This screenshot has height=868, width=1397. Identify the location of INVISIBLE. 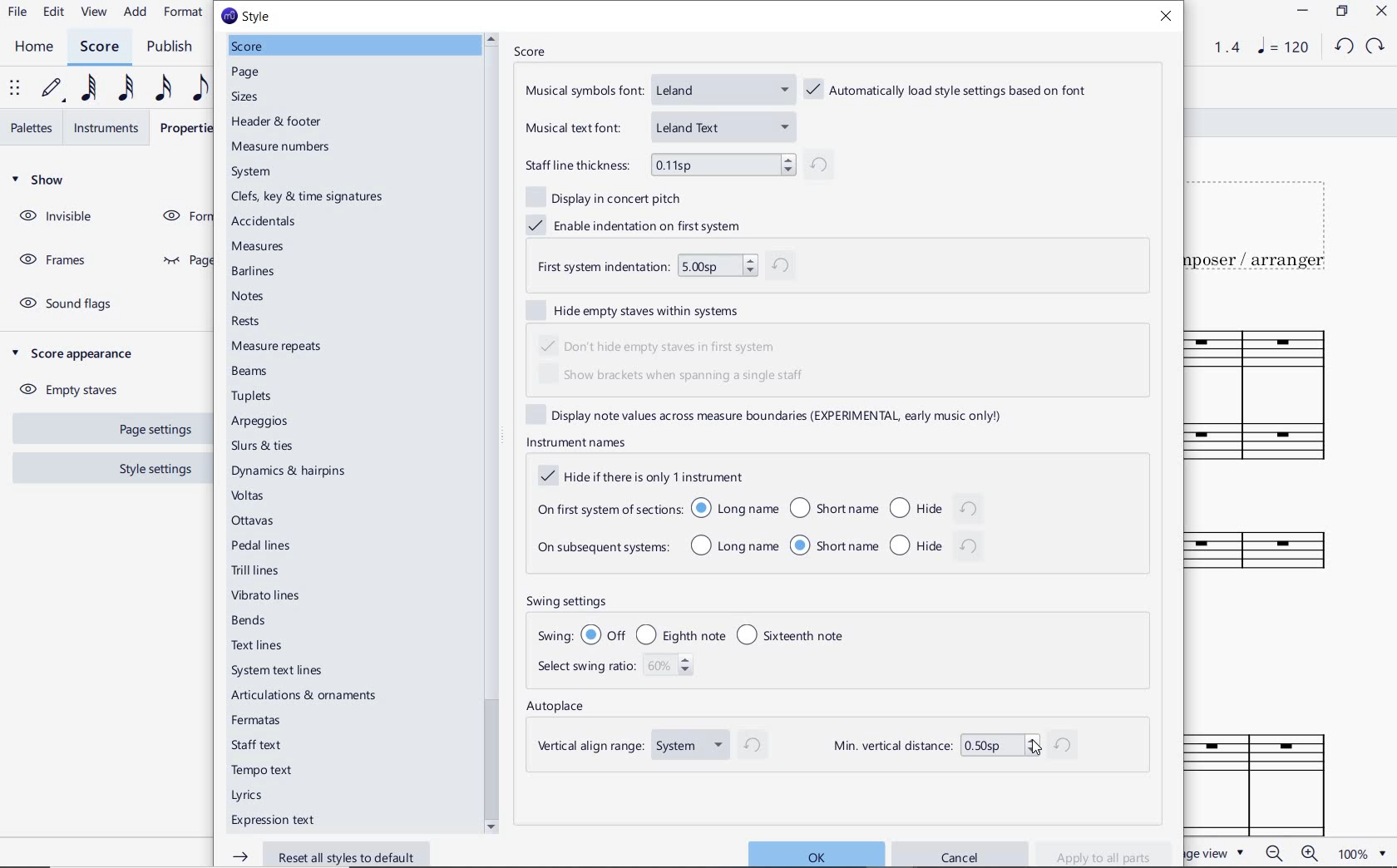
(58, 217).